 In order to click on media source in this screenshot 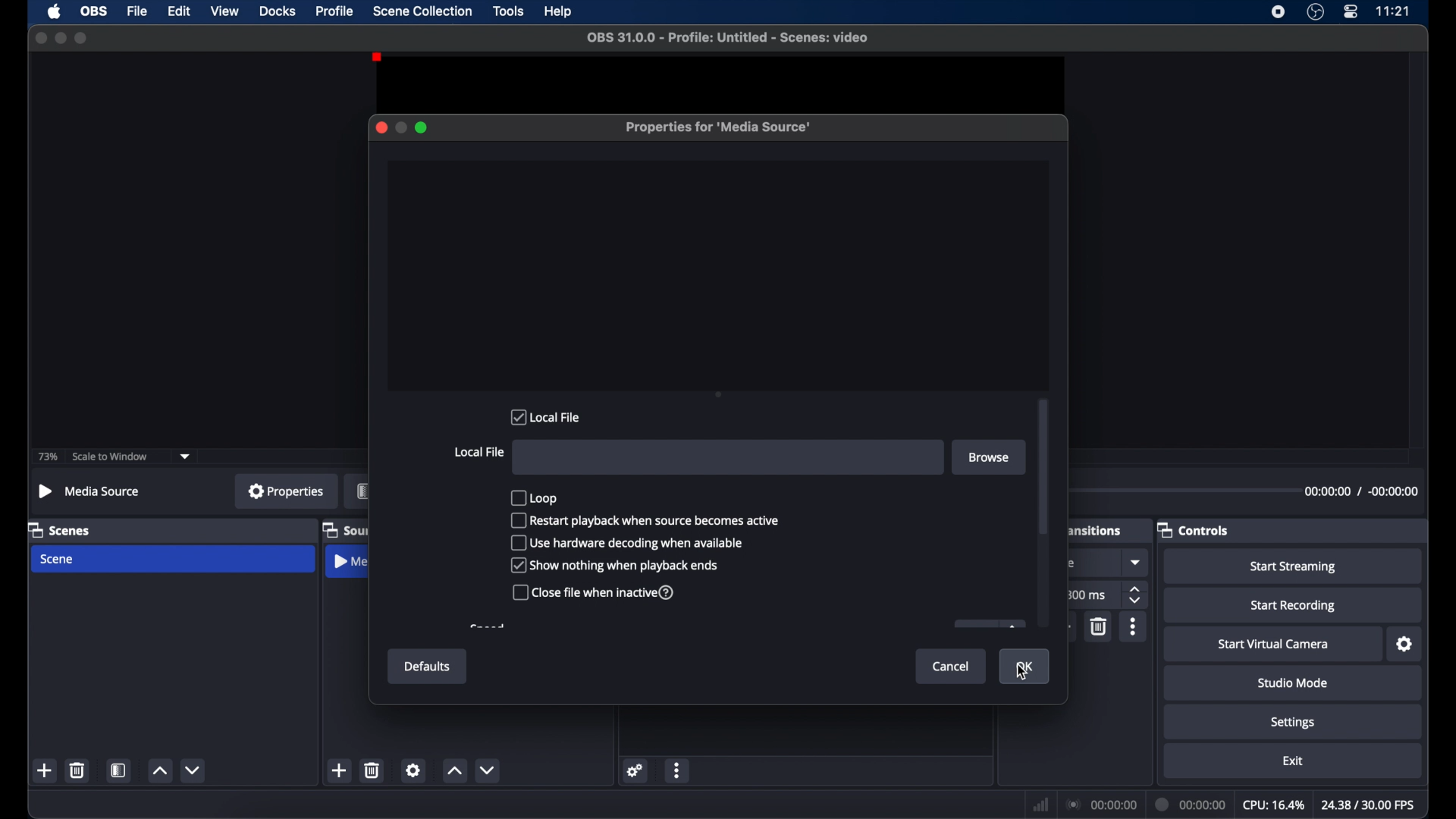, I will do `click(350, 561)`.